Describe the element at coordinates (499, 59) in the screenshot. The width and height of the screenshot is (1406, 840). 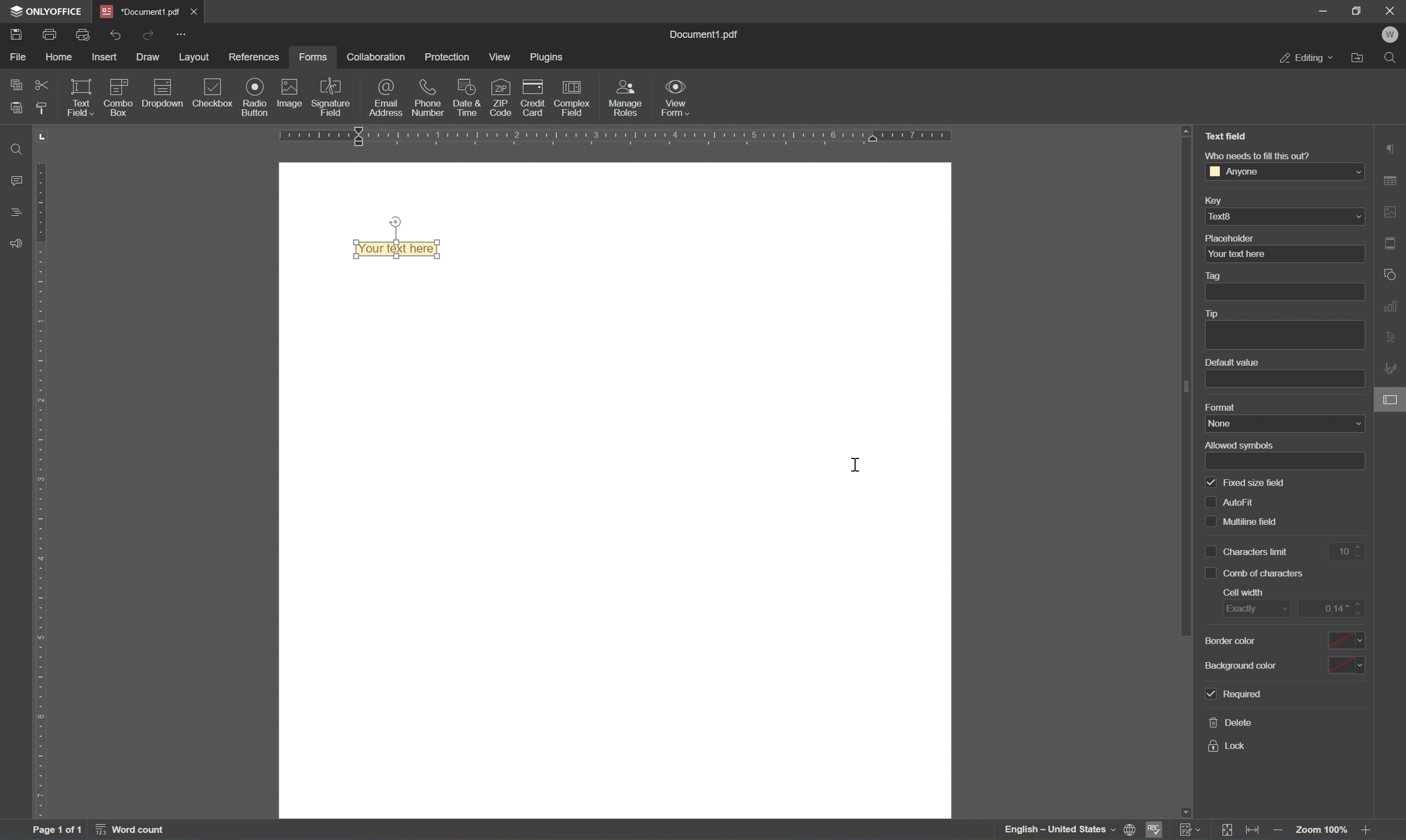
I see `view` at that location.